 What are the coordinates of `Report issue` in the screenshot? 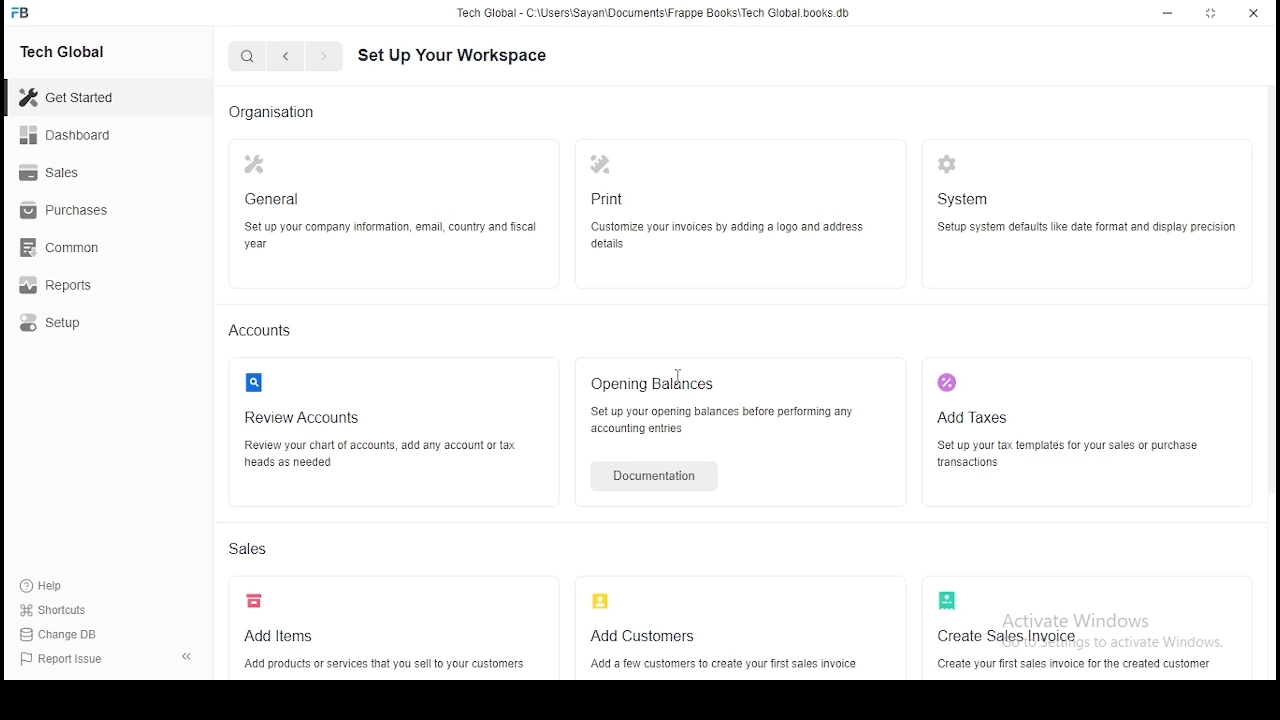 It's located at (78, 661).